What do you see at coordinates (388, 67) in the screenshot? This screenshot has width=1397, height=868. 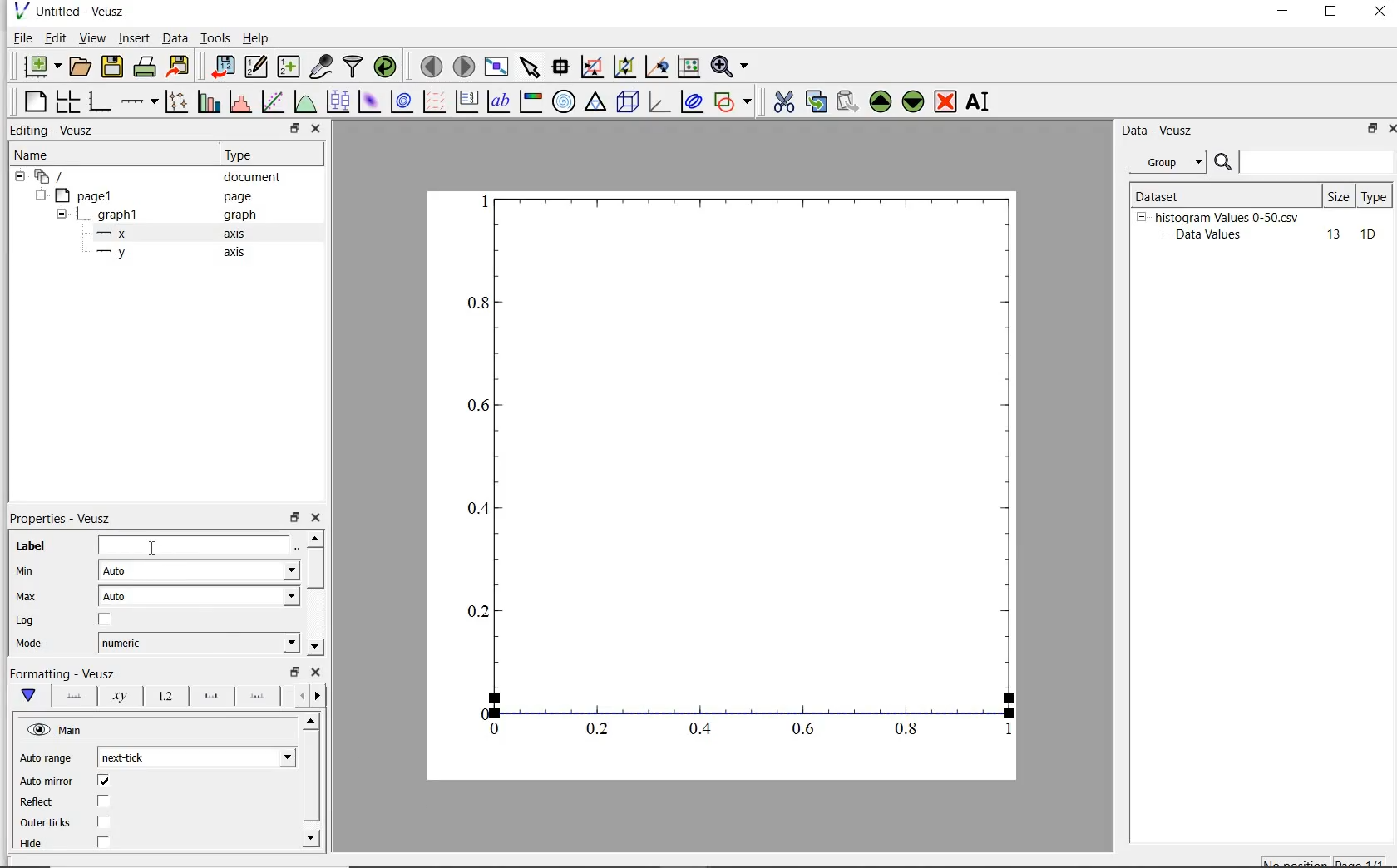 I see `reload linked datasets` at bounding box center [388, 67].